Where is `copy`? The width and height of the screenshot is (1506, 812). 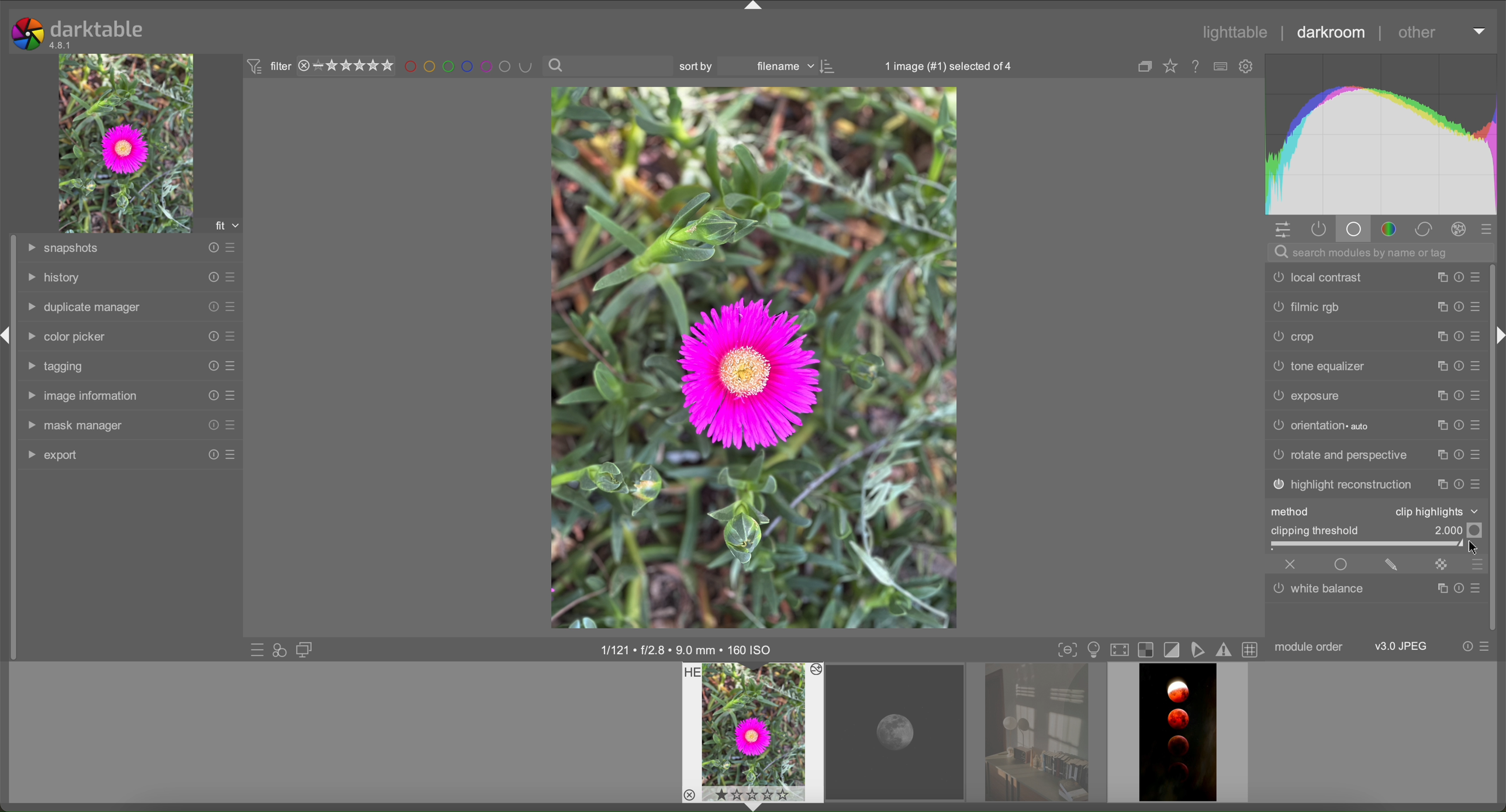 copy is located at coordinates (1438, 336).